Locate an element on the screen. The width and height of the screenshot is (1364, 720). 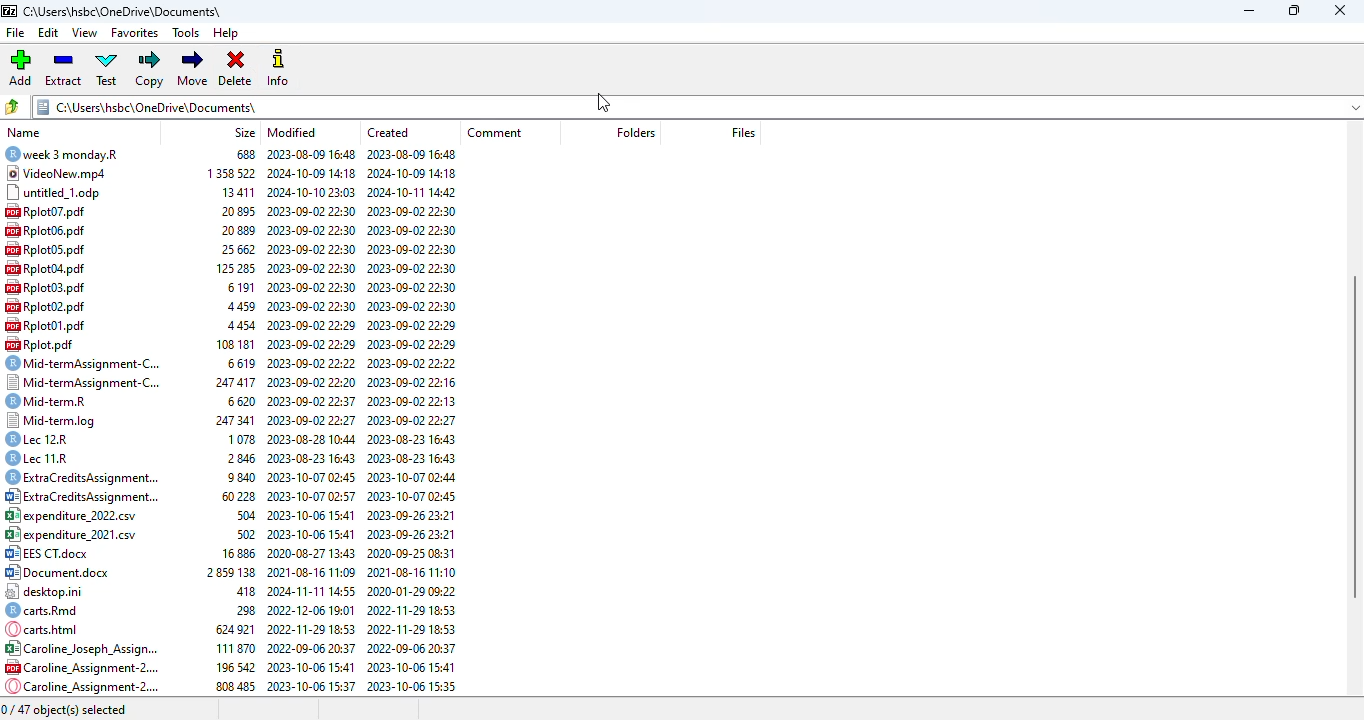
2023-09-02 22:30 is located at coordinates (313, 286).